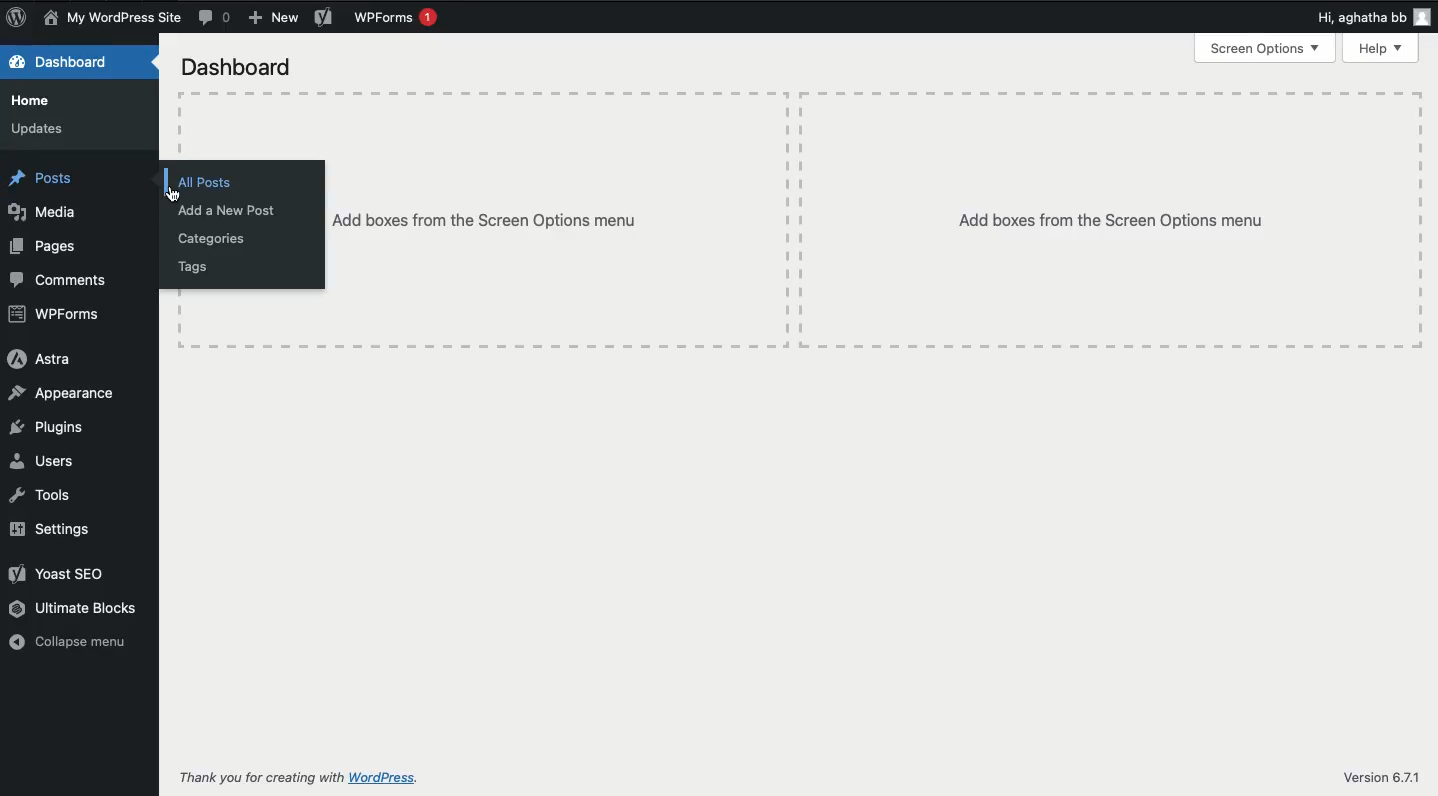 Image resolution: width=1438 pixels, height=796 pixels. What do you see at coordinates (44, 210) in the screenshot?
I see `Media` at bounding box center [44, 210].